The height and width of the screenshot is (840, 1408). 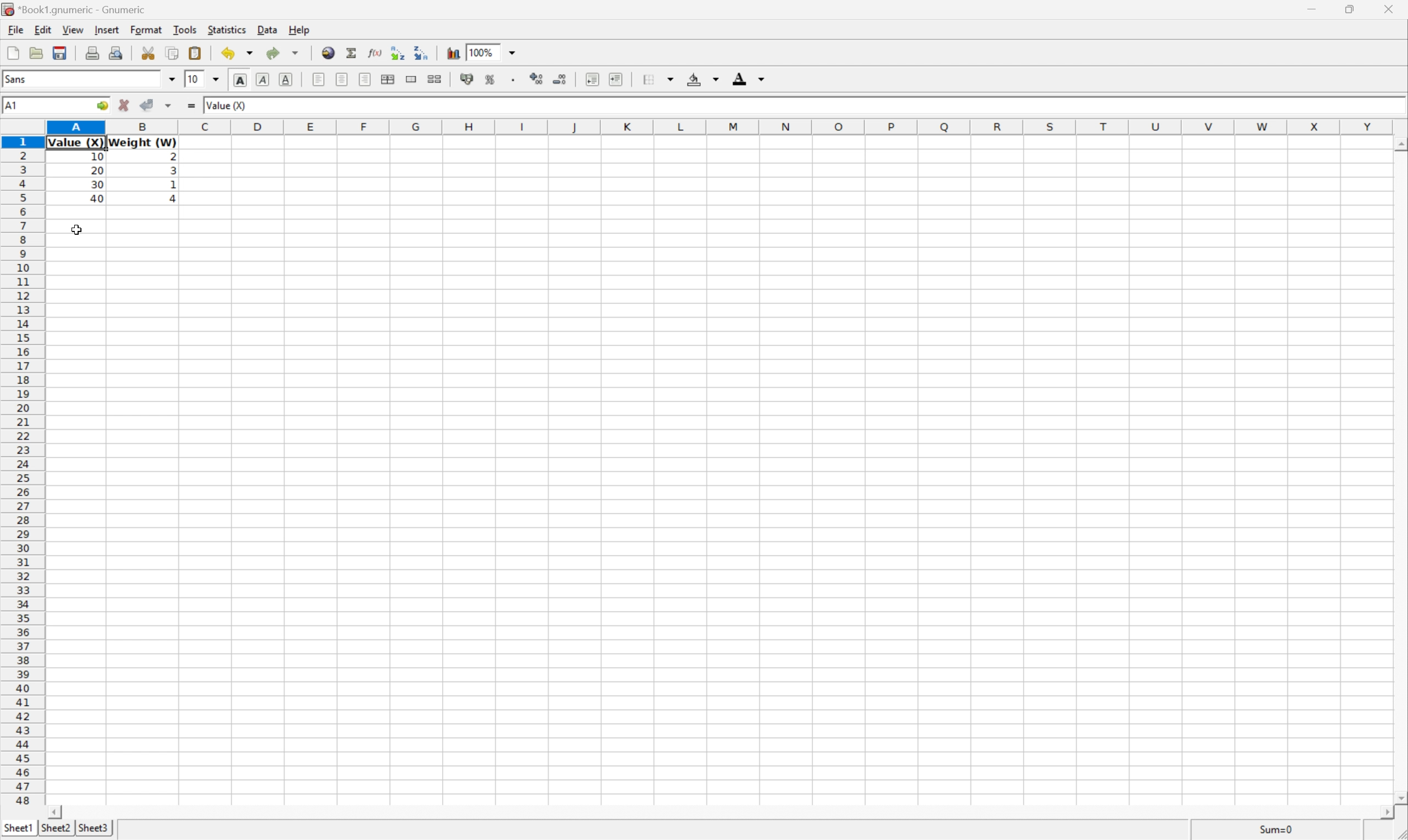 I want to click on Value 00, so click(x=226, y=107).